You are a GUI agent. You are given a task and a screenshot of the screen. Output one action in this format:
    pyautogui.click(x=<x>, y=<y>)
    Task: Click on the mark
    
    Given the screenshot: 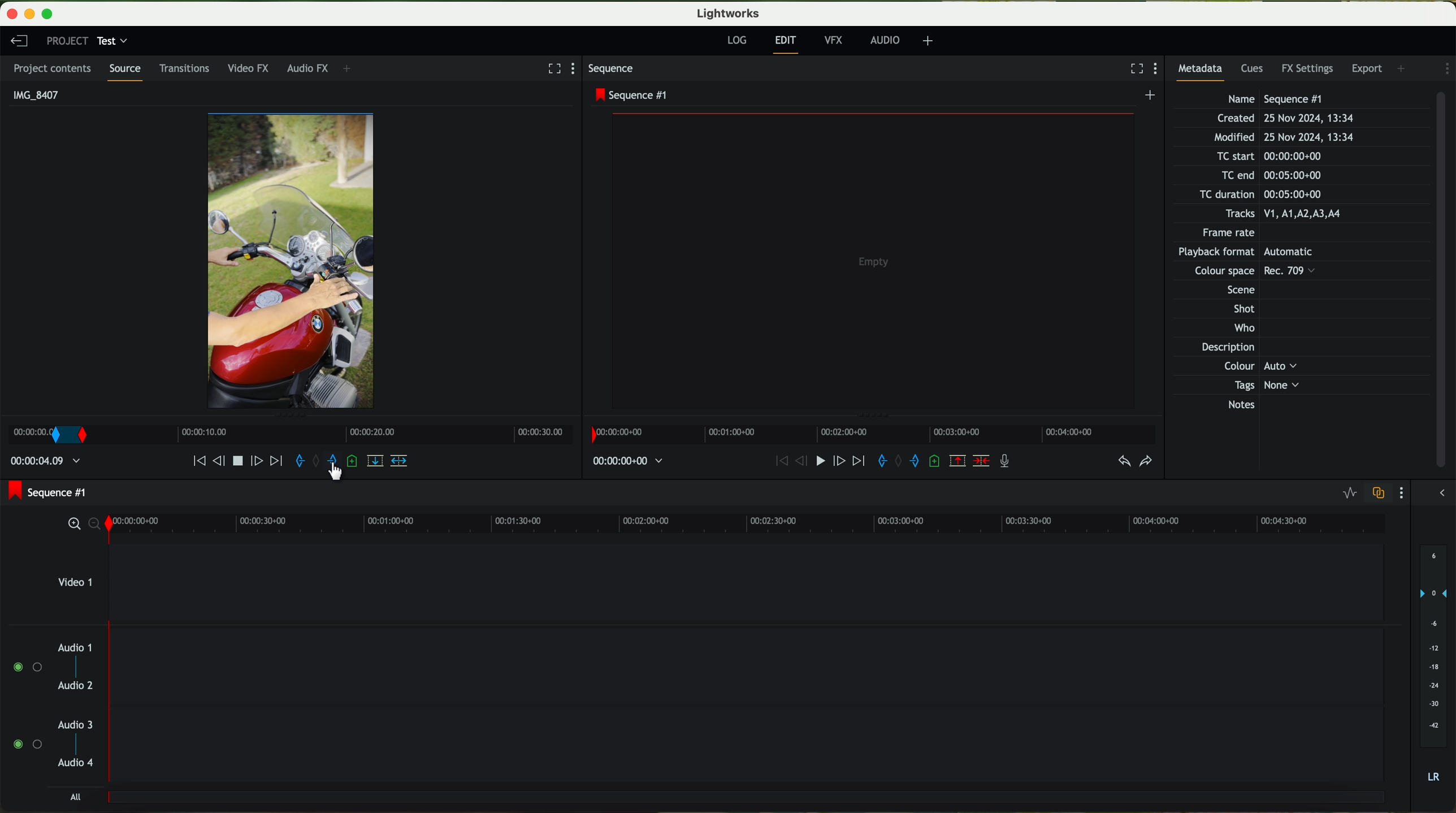 What is the action you would take?
    pyautogui.click(x=27, y=435)
    